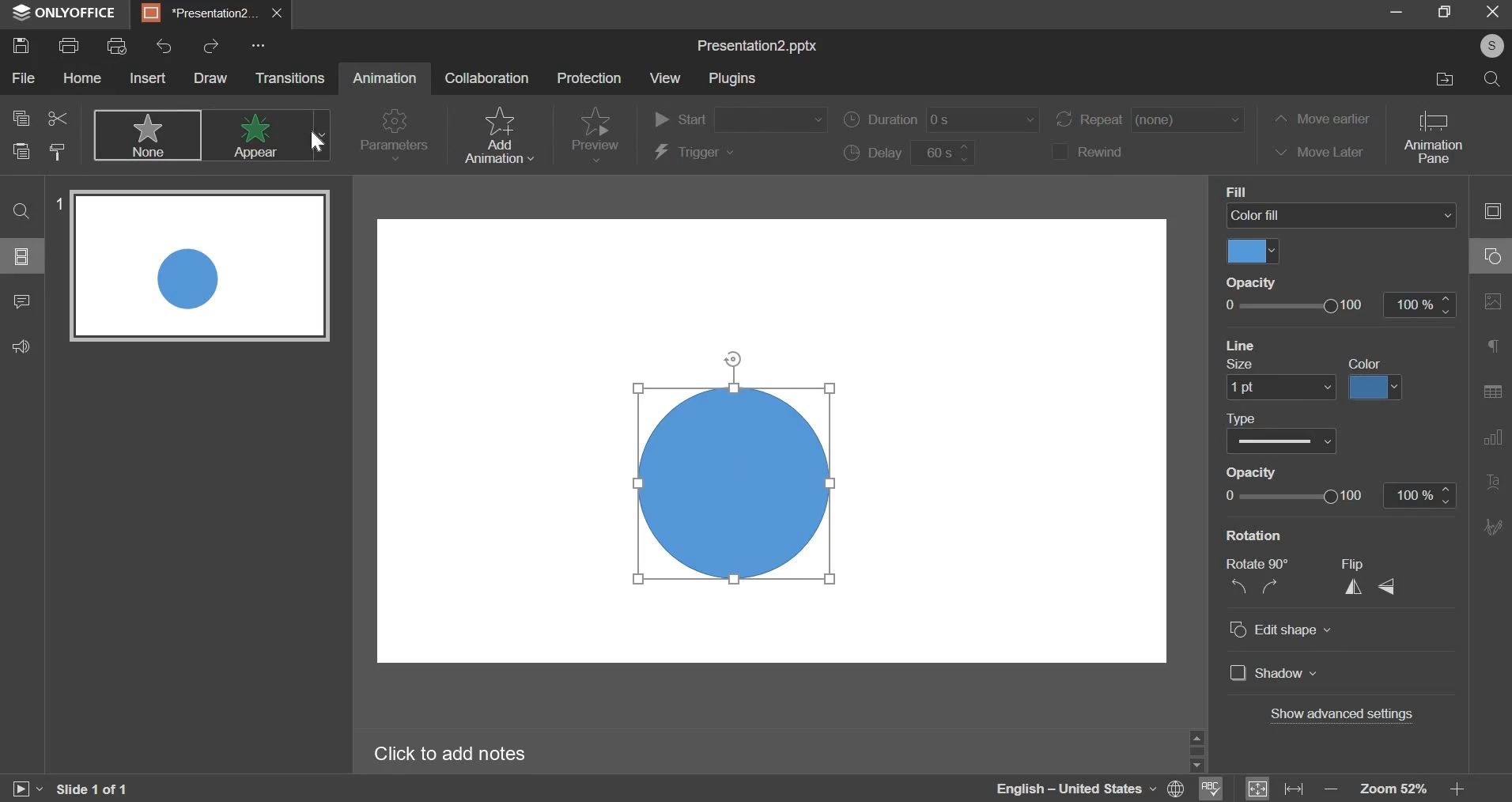  I want to click on apply to all slides, so click(1297, 414).